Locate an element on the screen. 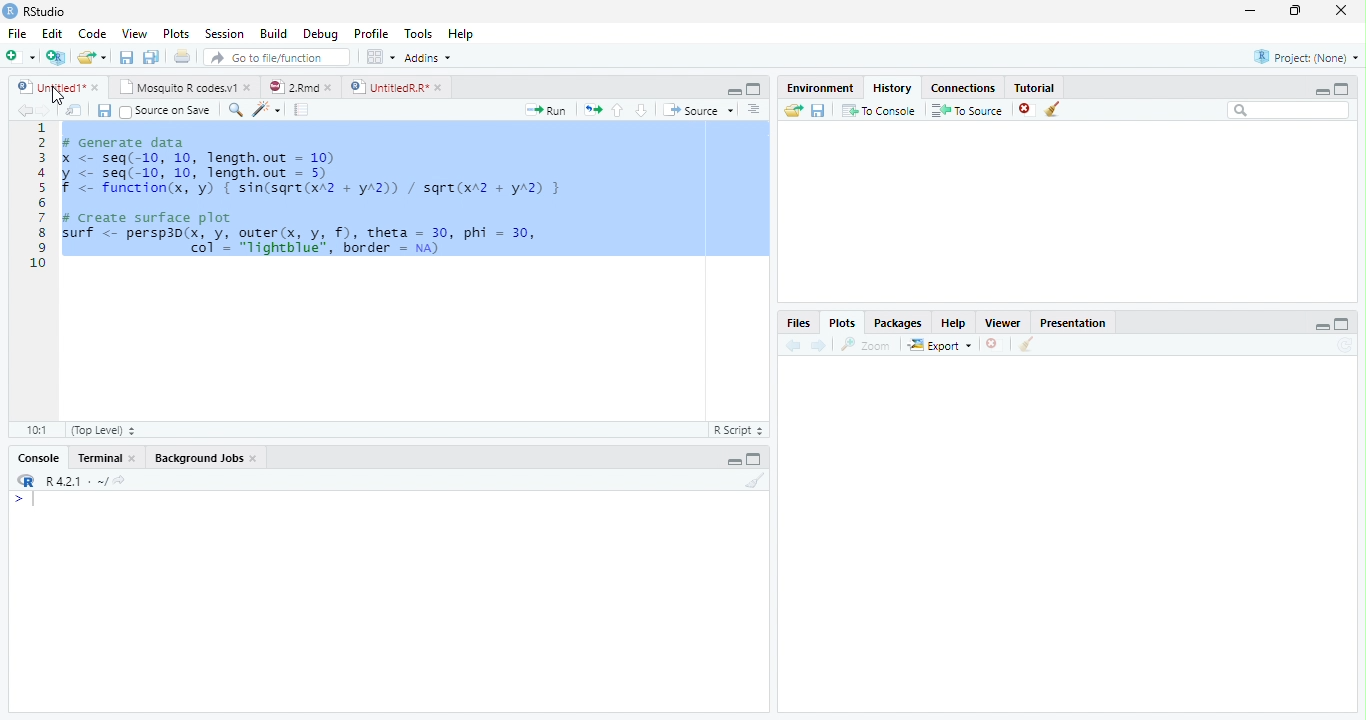 This screenshot has height=720, width=1366. minimize is located at coordinates (1322, 91).